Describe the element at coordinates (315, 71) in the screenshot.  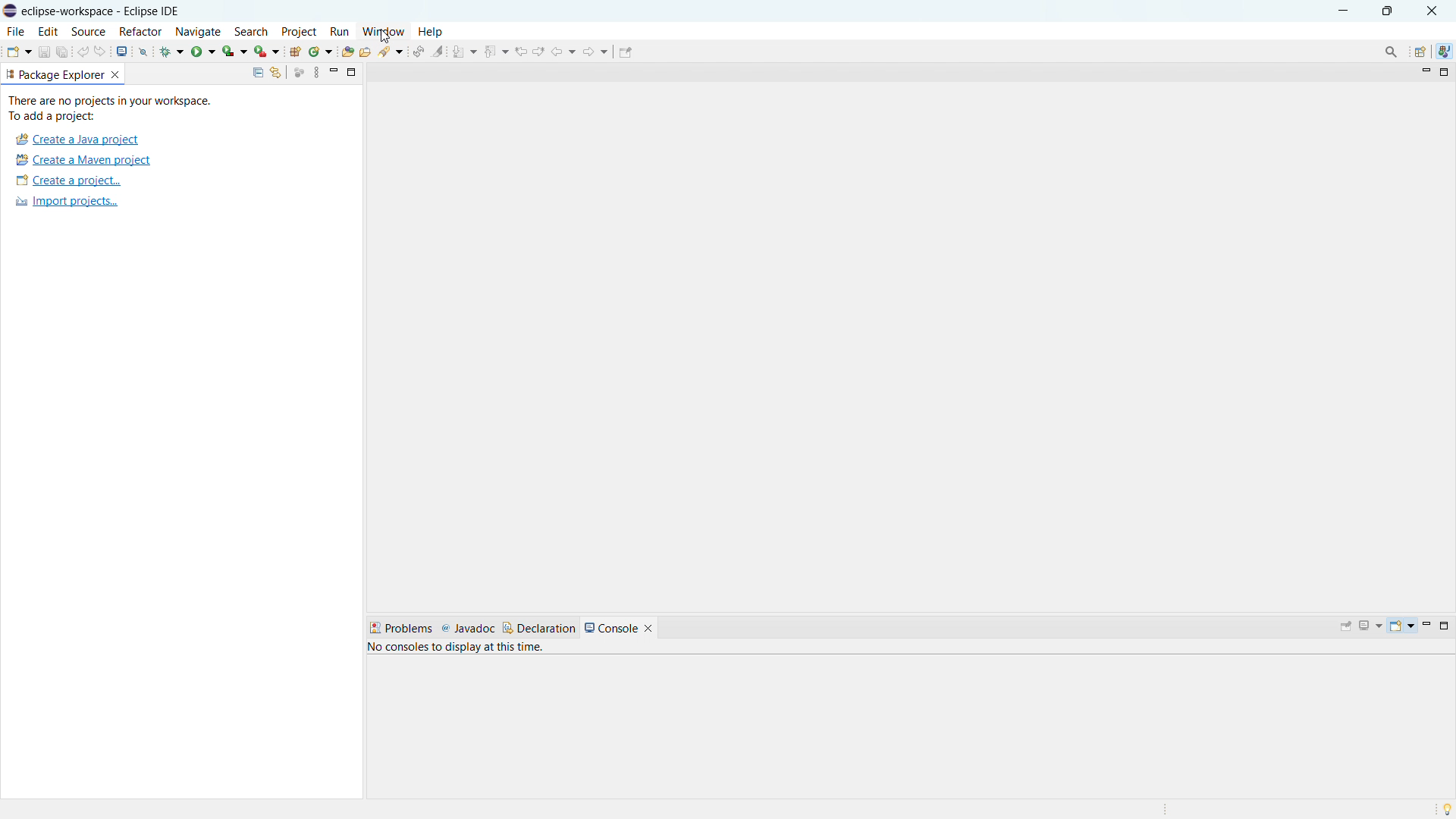
I see `view menu` at that location.